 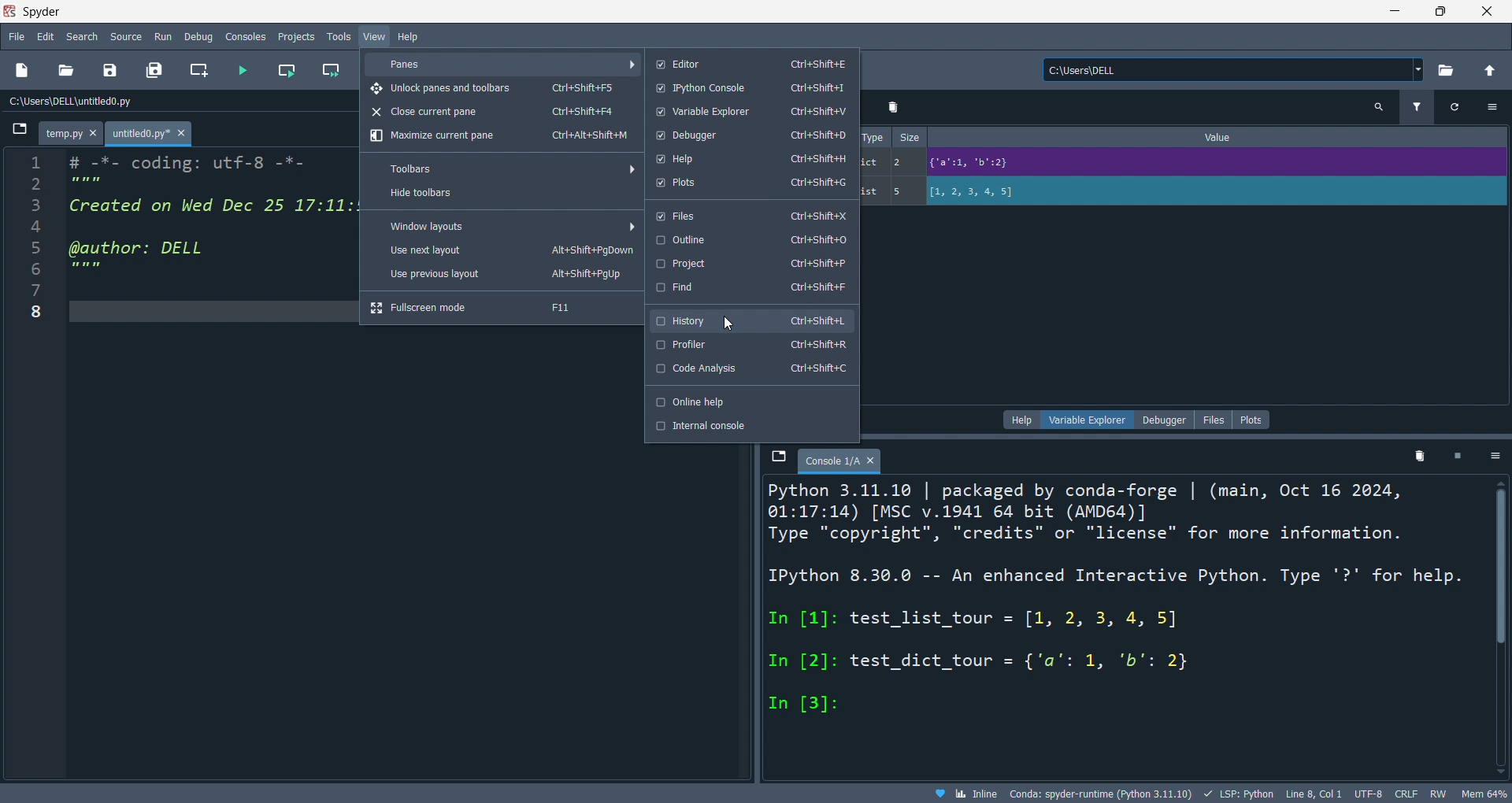 I want to click on view, so click(x=373, y=37).